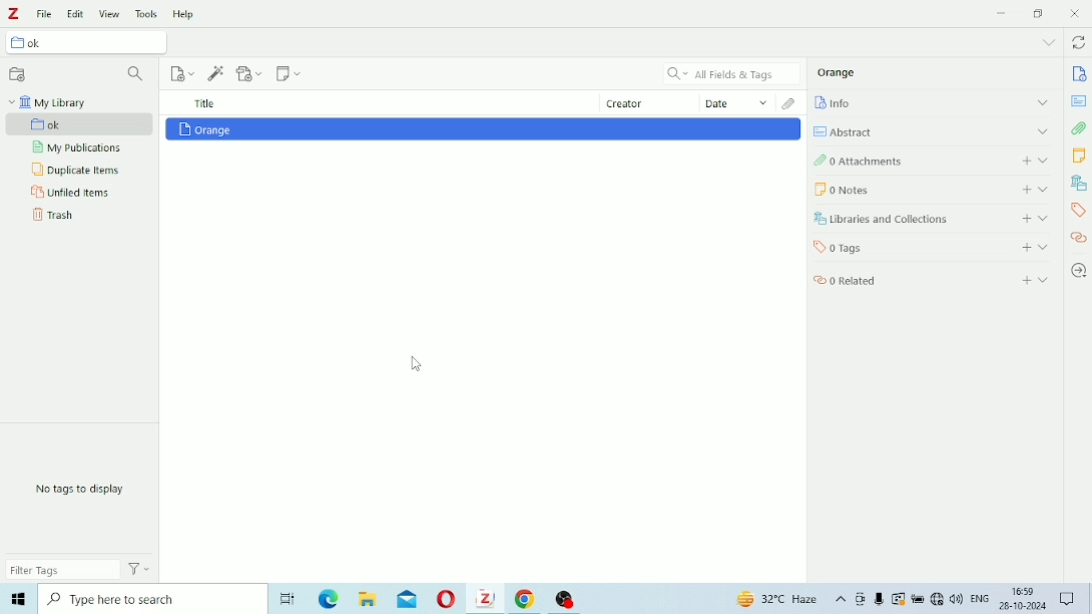  Describe the element at coordinates (879, 599) in the screenshot. I see `Mic` at that location.